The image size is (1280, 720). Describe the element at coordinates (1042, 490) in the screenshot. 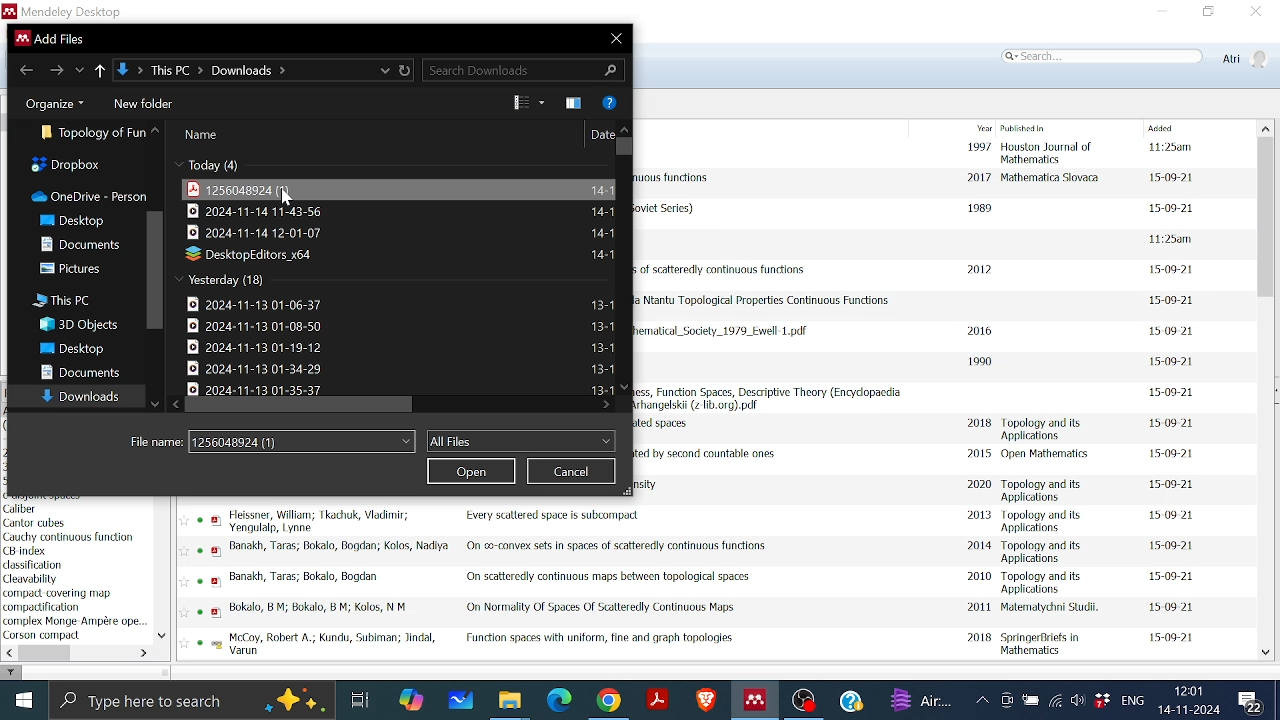

I see `Published in` at that location.